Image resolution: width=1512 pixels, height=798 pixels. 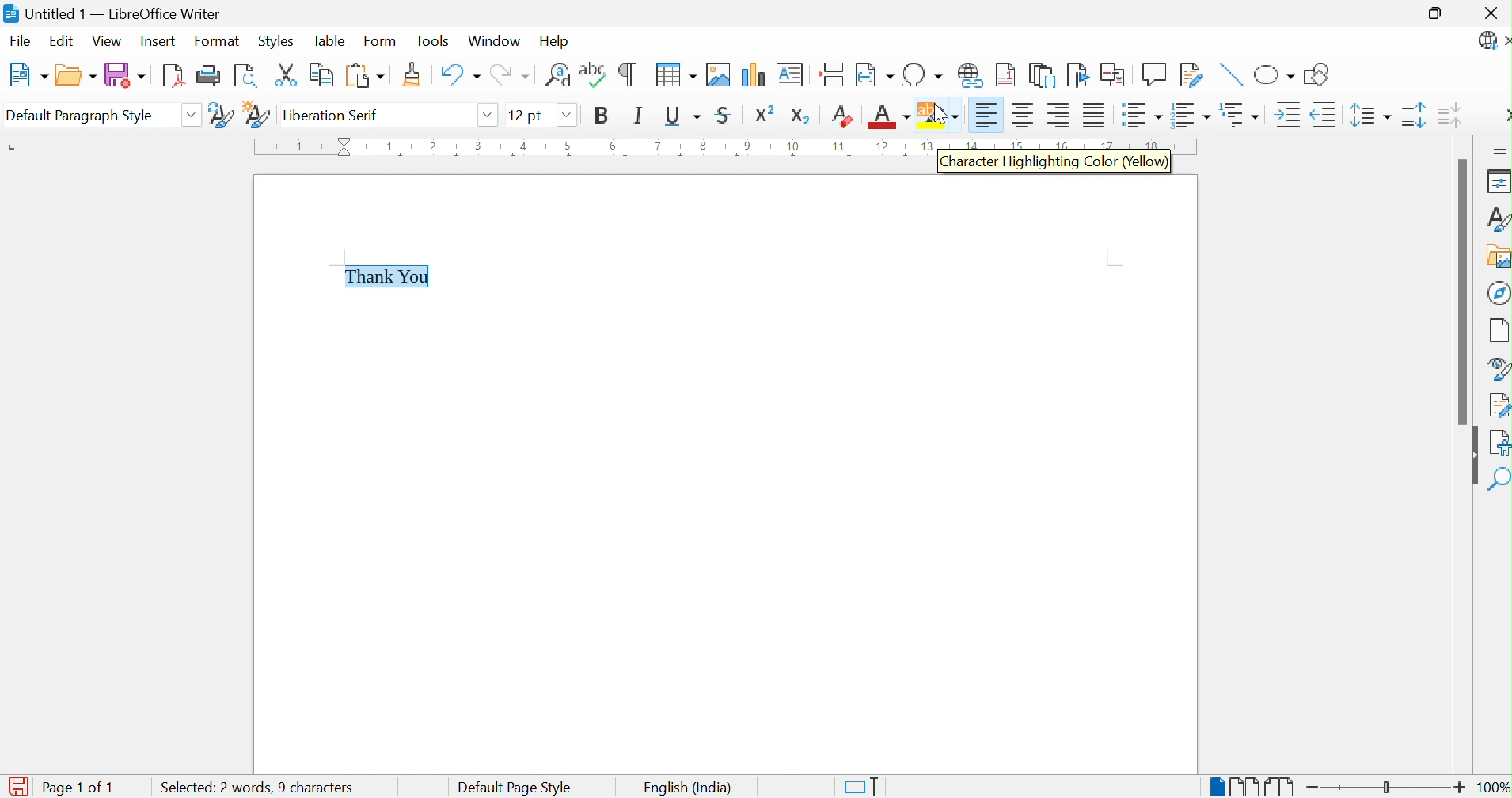 What do you see at coordinates (17, 785) in the screenshot?
I see `The document has been modified. Click to save the document.` at bounding box center [17, 785].